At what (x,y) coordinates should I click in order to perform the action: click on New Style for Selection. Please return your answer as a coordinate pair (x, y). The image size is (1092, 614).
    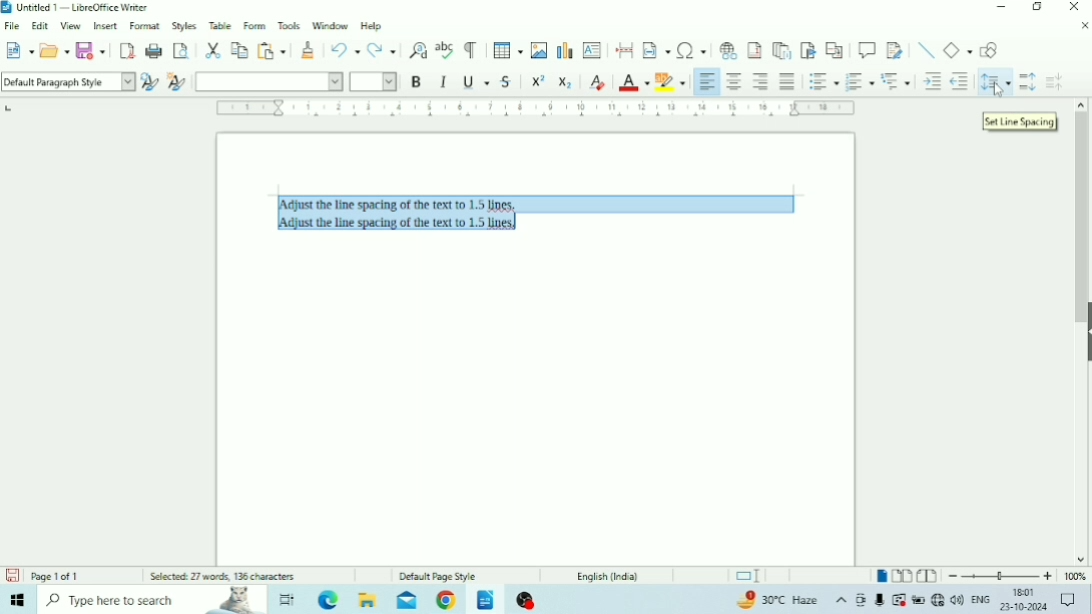
    Looking at the image, I should click on (176, 79).